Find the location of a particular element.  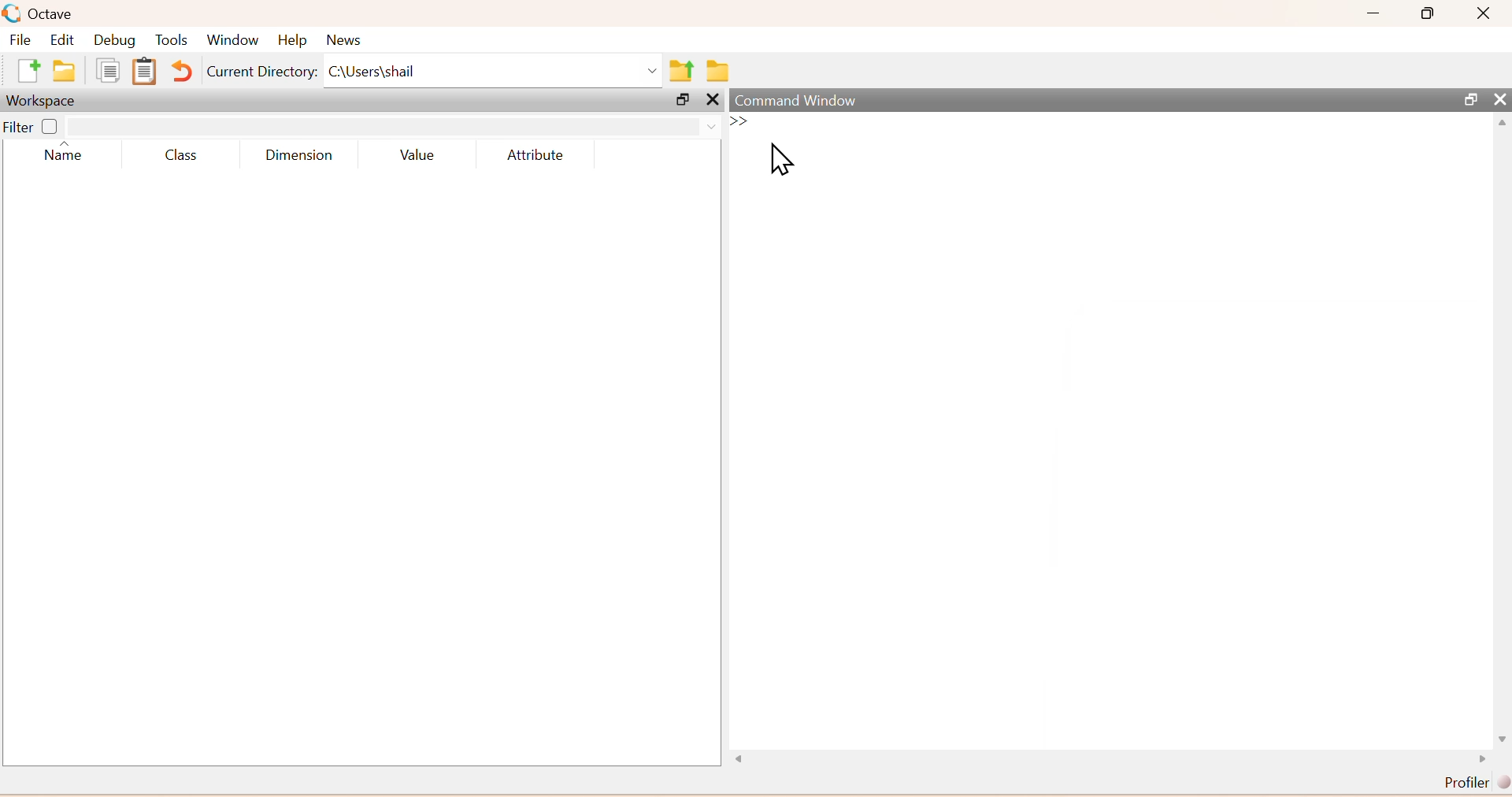

Cursor is located at coordinates (784, 161).